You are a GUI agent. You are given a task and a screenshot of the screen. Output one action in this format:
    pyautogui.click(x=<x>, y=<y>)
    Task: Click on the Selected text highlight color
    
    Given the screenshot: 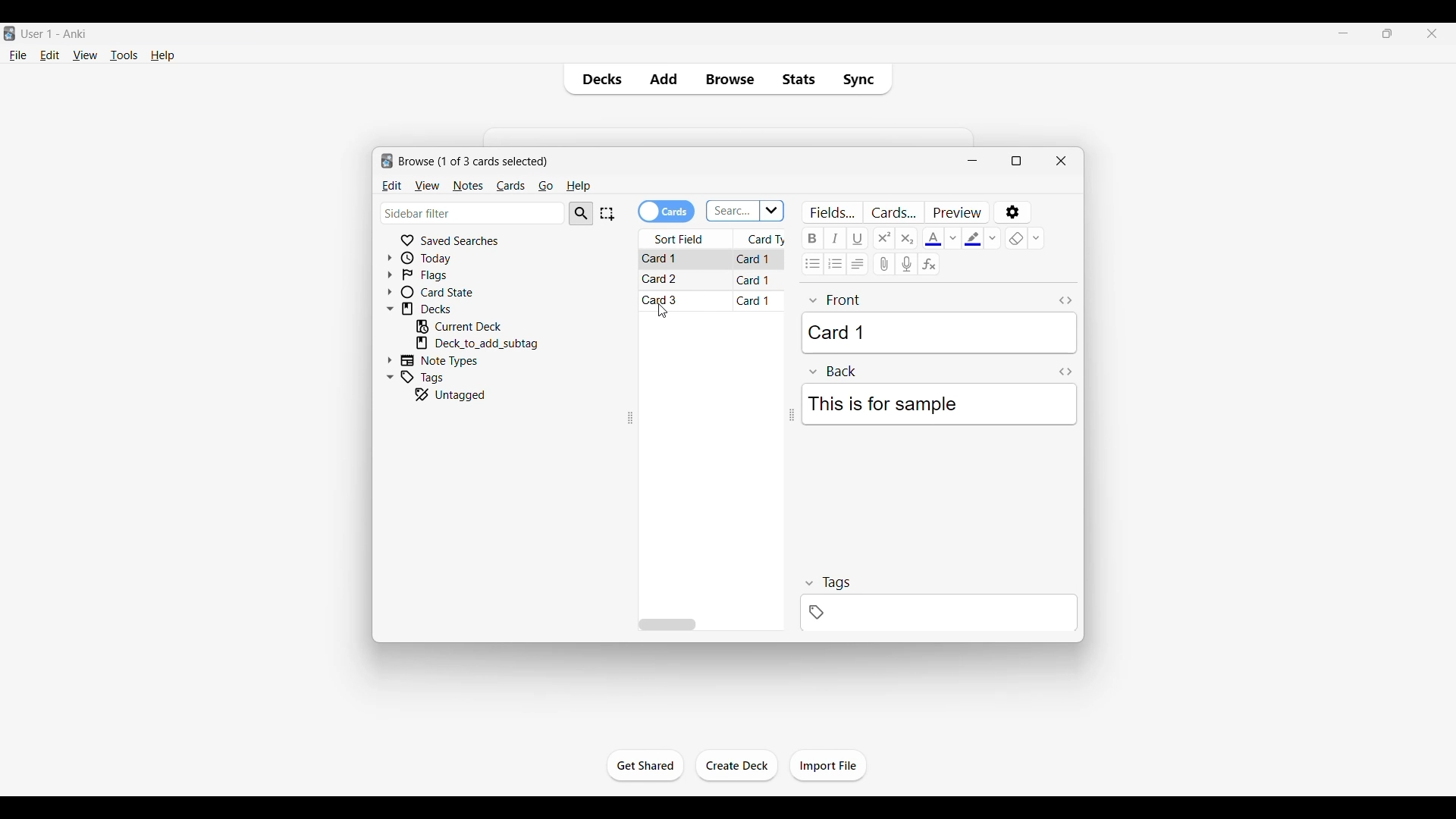 What is the action you would take?
    pyautogui.click(x=973, y=238)
    